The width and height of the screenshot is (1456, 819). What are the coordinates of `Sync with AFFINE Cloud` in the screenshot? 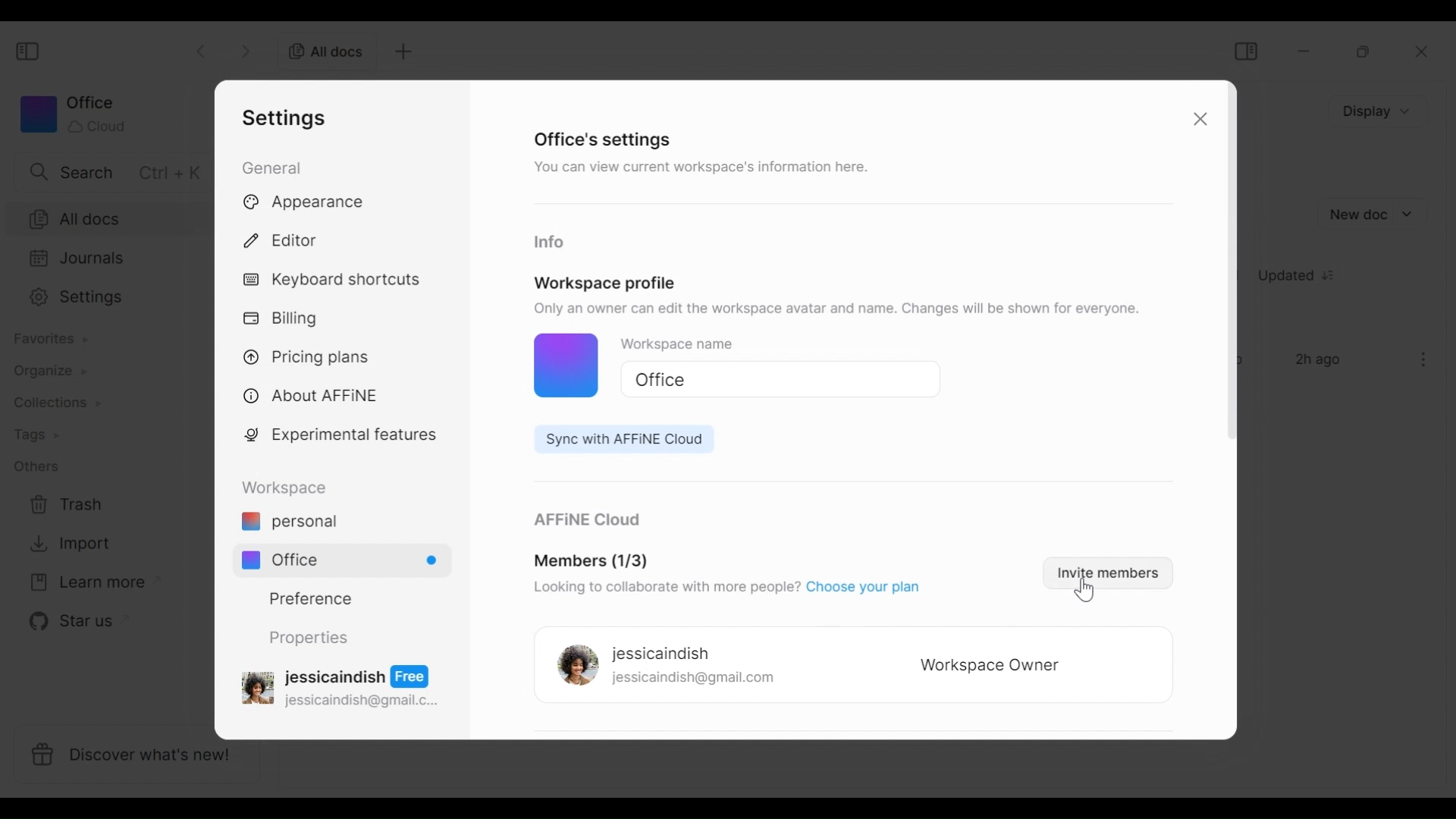 It's located at (617, 439).